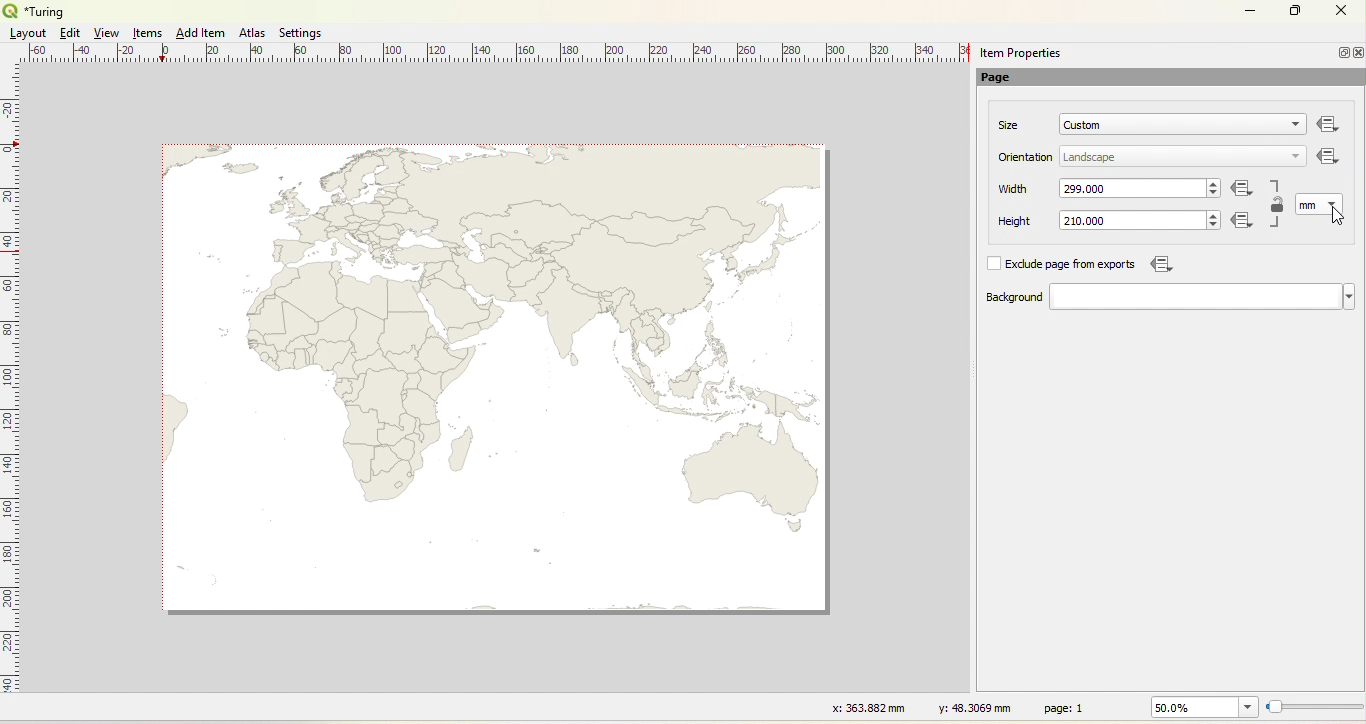 The height and width of the screenshot is (724, 1366). Describe the element at coordinates (1278, 206) in the screenshot. I see `Lock/Unlock` at that location.